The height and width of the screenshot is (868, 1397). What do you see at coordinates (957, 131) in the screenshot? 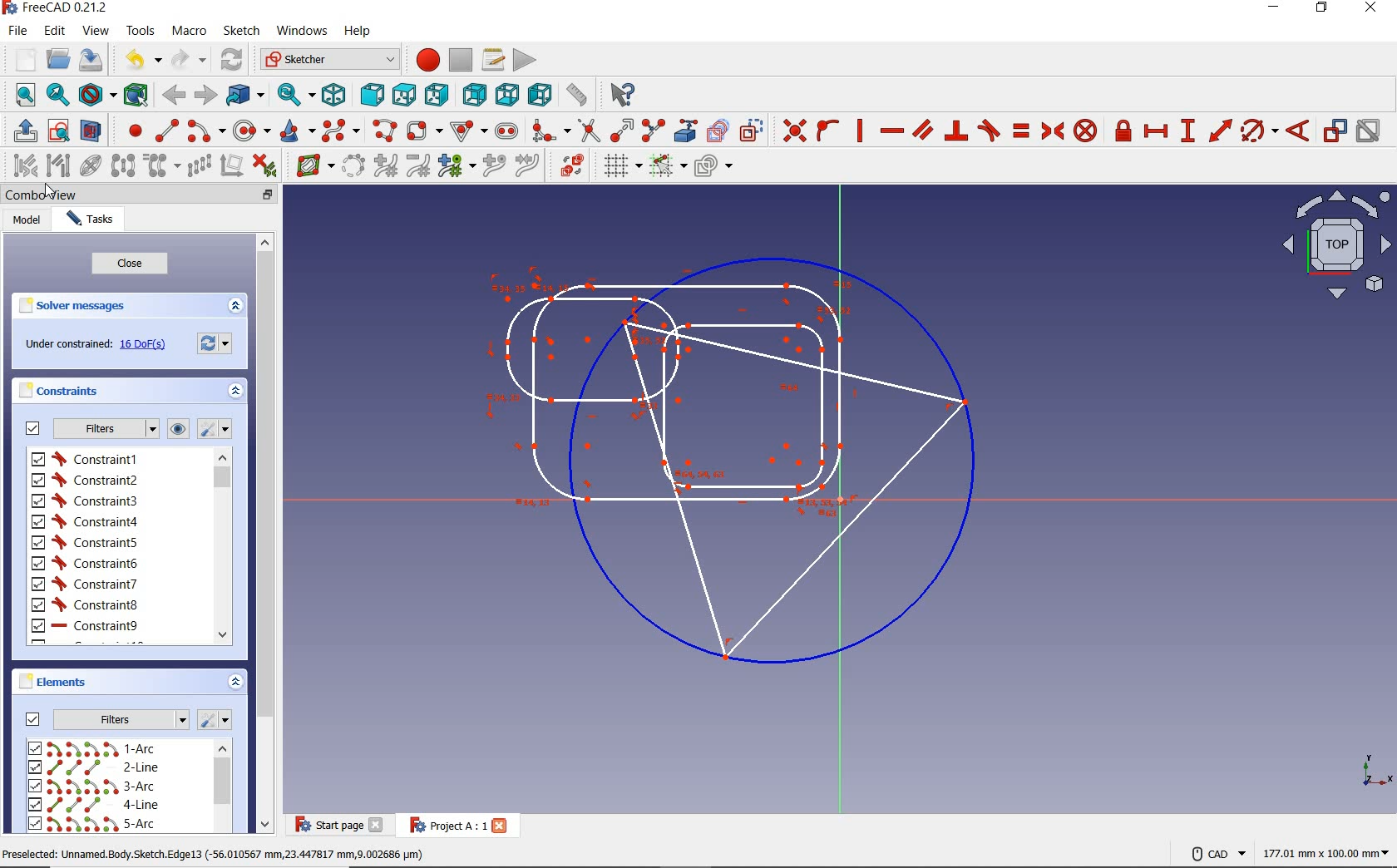
I see `constrain perpendicular` at bounding box center [957, 131].